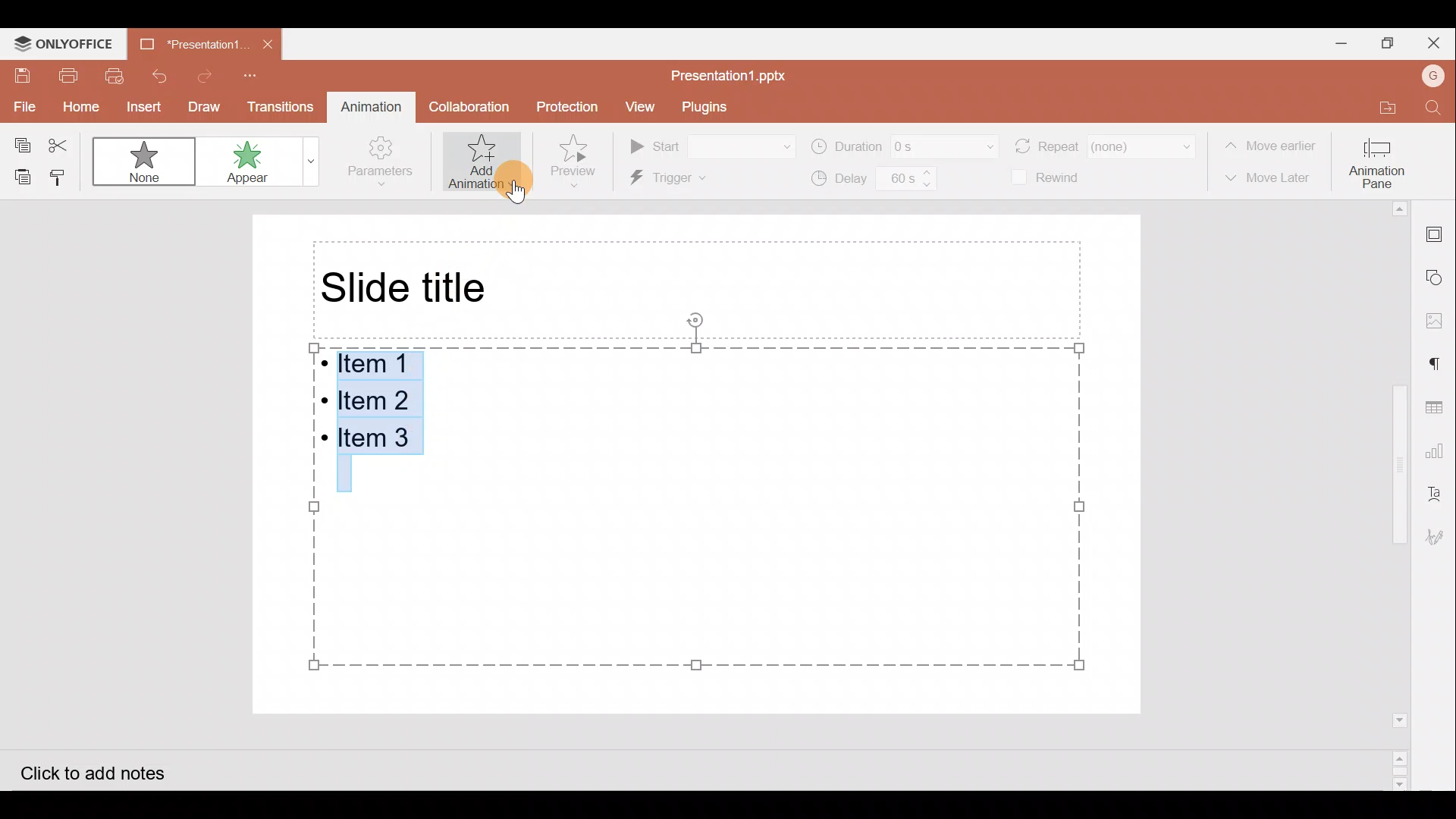 The width and height of the screenshot is (1456, 819). Describe the element at coordinates (67, 73) in the screenshot. I see `Print file` at that location.